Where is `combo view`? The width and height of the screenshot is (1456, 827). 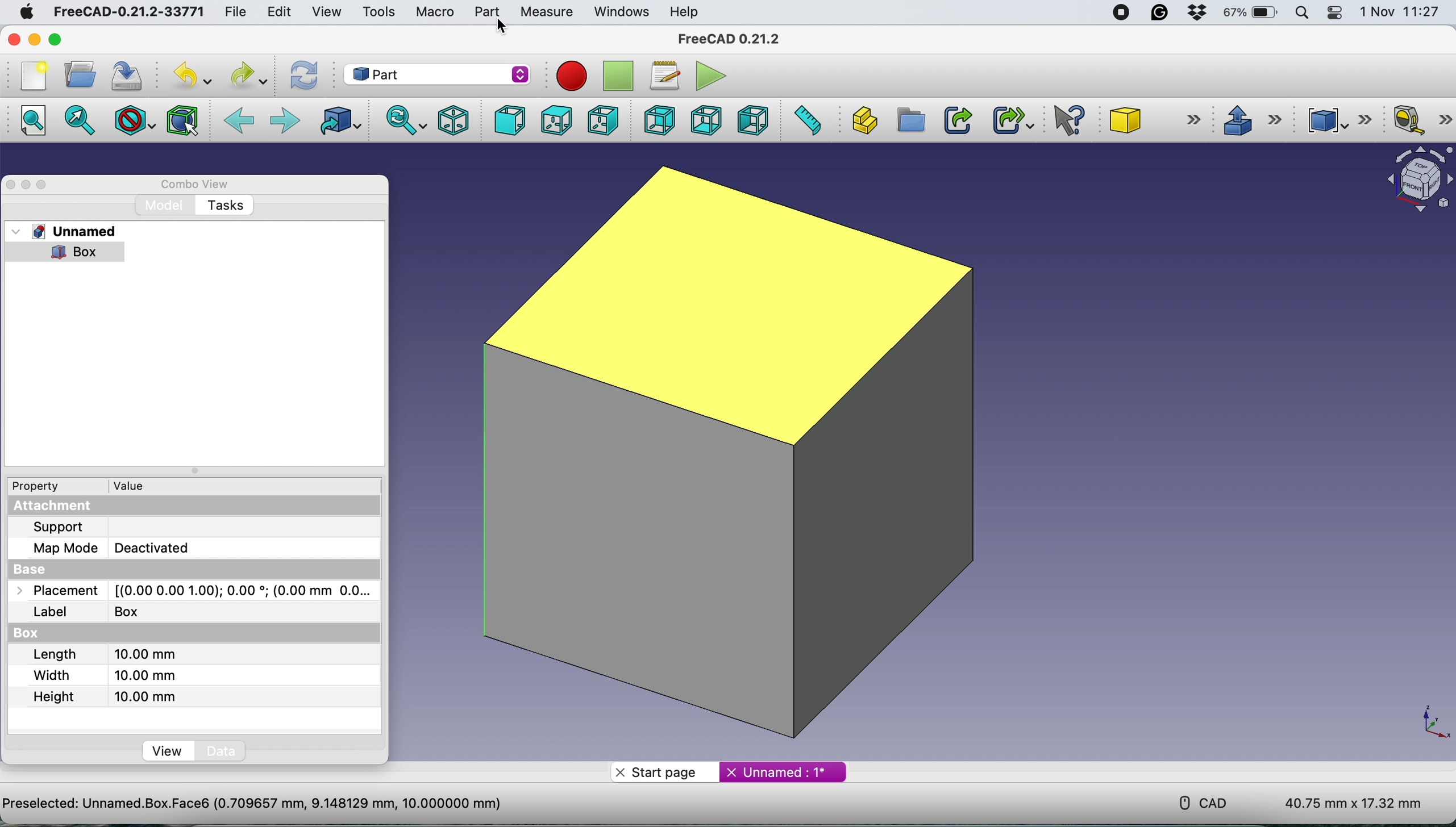 combo view is located at coordinates (195, 185).